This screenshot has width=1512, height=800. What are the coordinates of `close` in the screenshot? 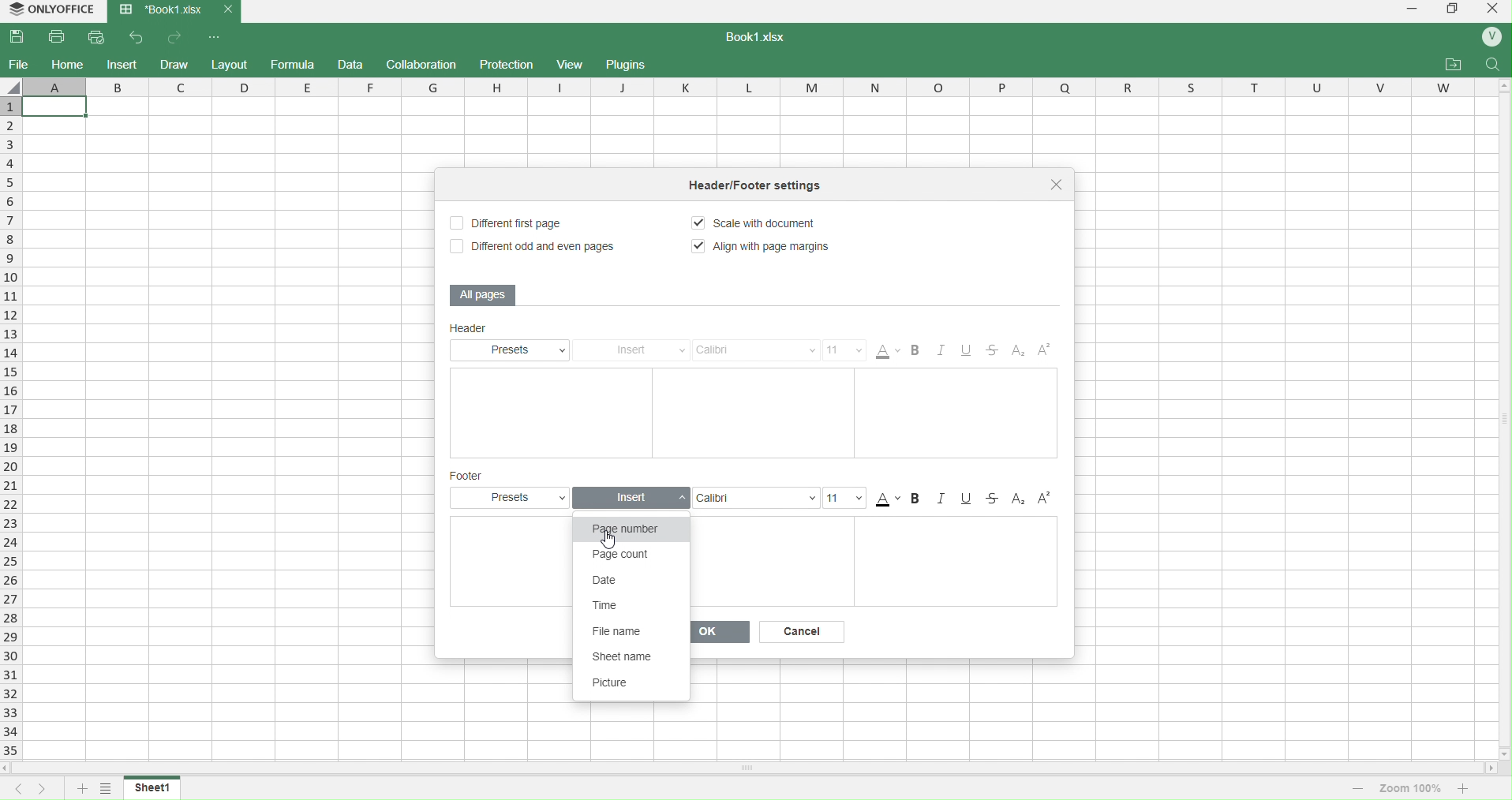 It's located at (1491, 11).